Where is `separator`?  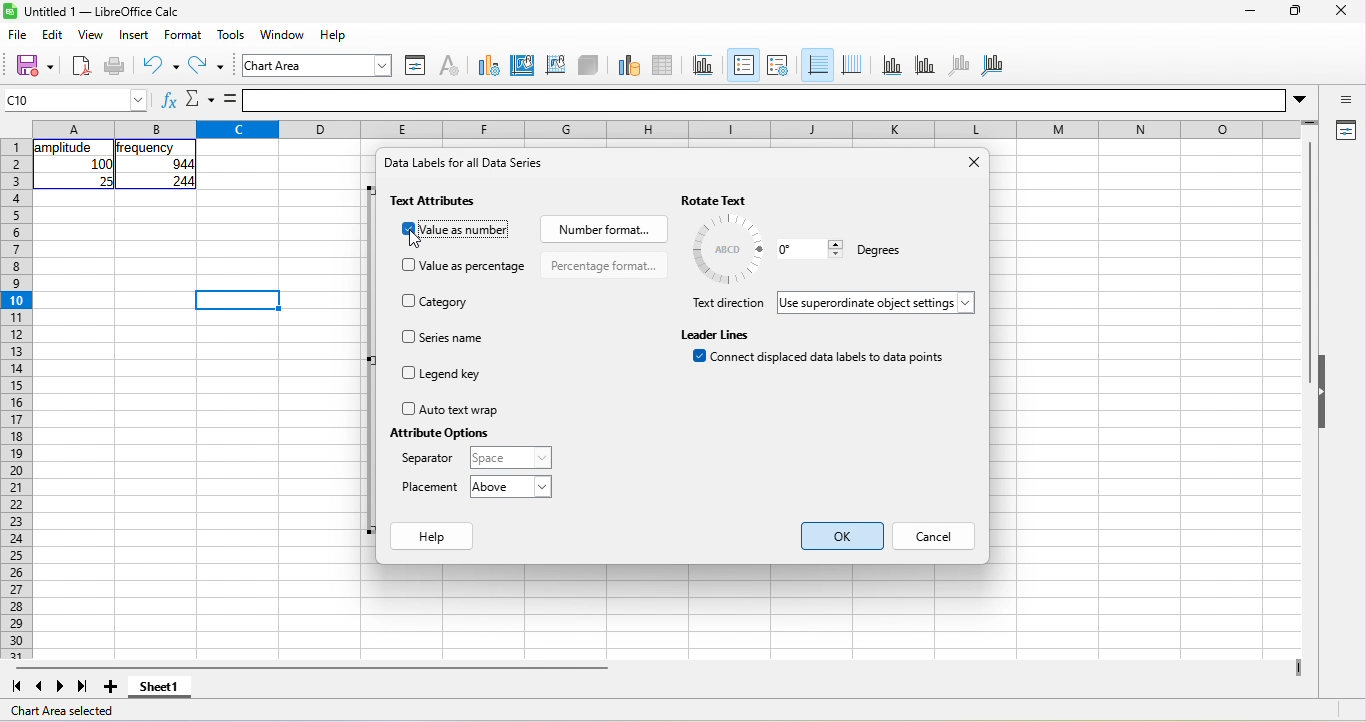 separator is located at coordinates (428, 461).